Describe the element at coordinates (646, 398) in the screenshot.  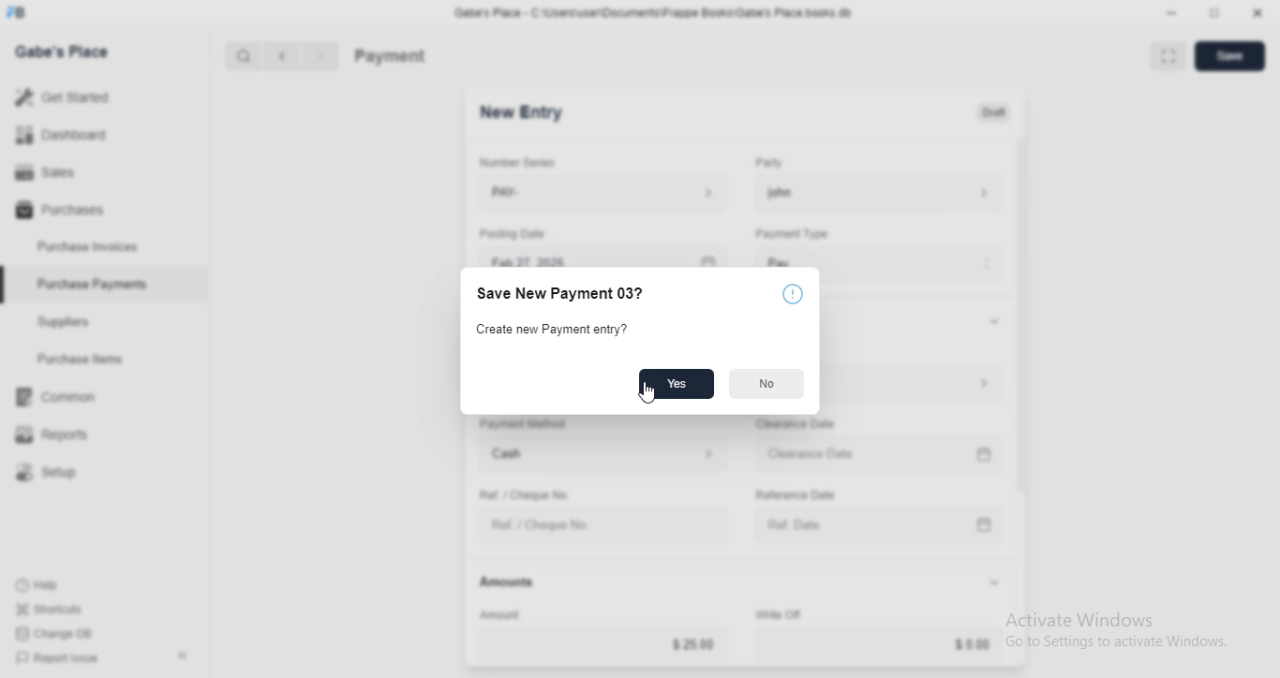
I see `cursor` at that location.